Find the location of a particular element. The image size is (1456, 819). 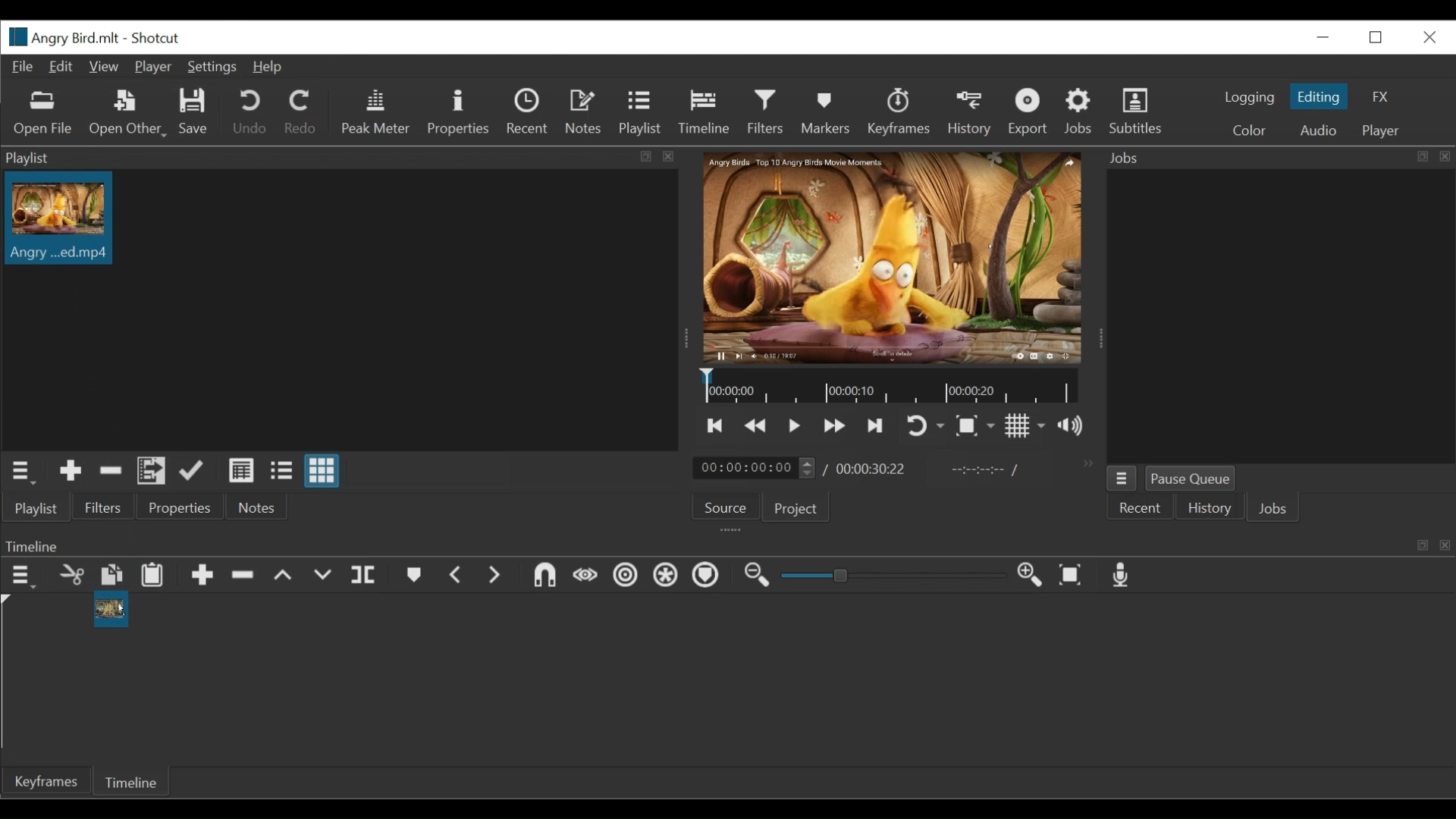

Paste is located at coordinates (152, 575).